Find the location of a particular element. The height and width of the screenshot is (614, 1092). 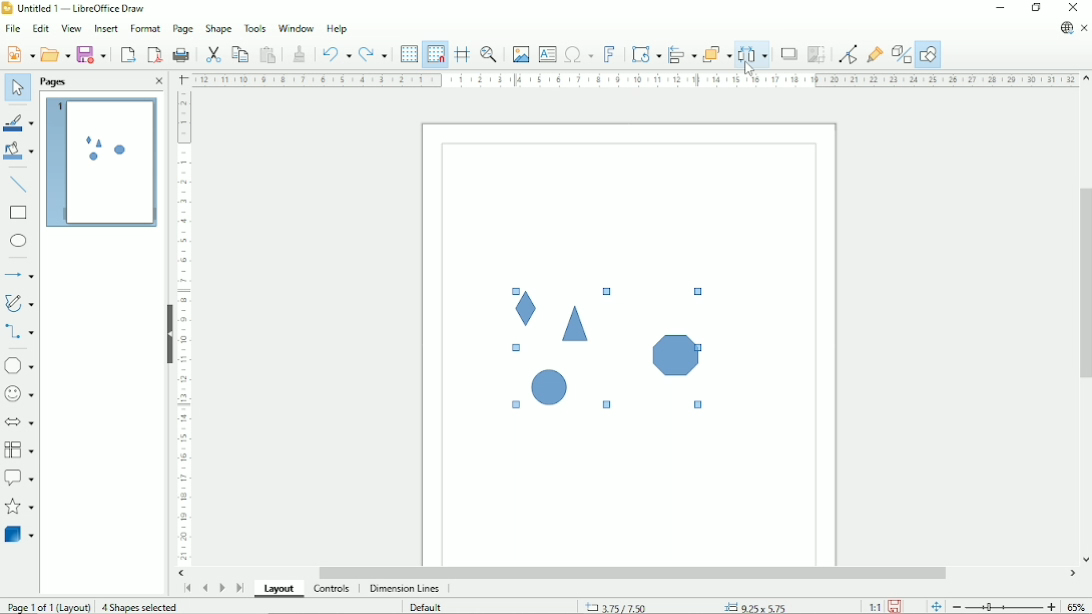

Show gluepoint functions is located at coordinates (874, 52).